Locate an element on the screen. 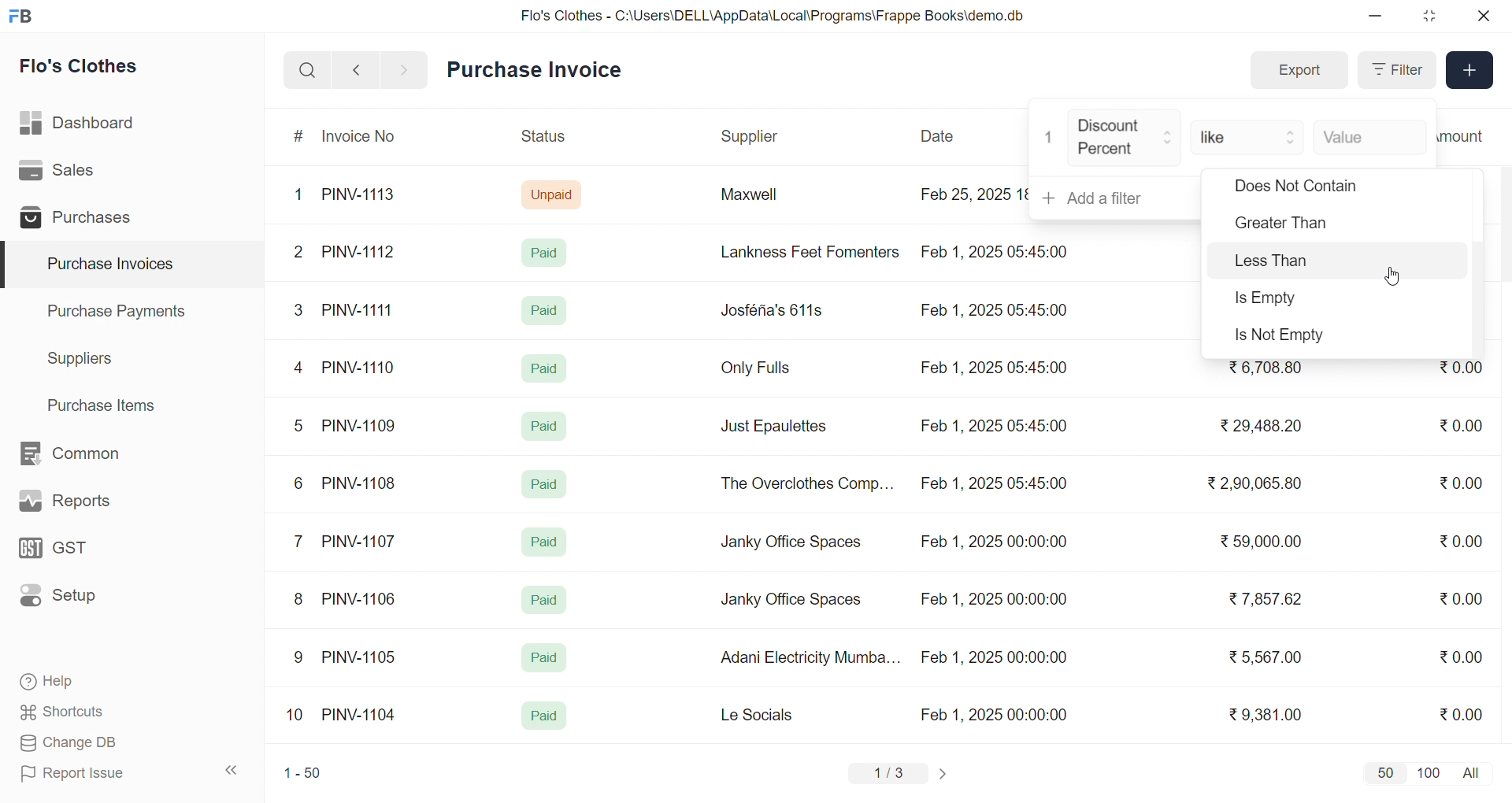  Date is located at coordinates (939, 136).